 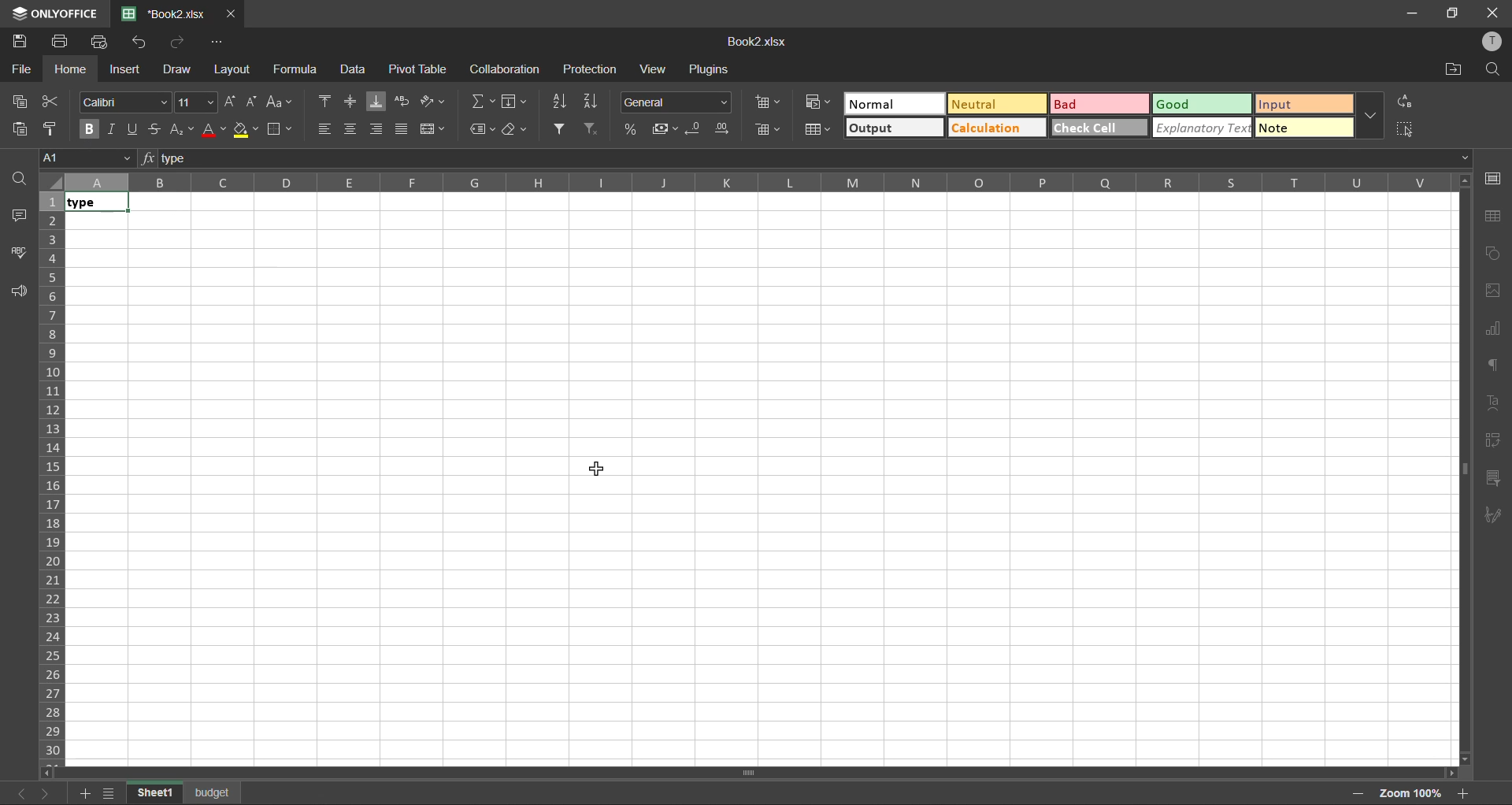 What do you see at coordinates (282, 102) in the screenshot?
I see `change case` at bounding box center [282, 102].